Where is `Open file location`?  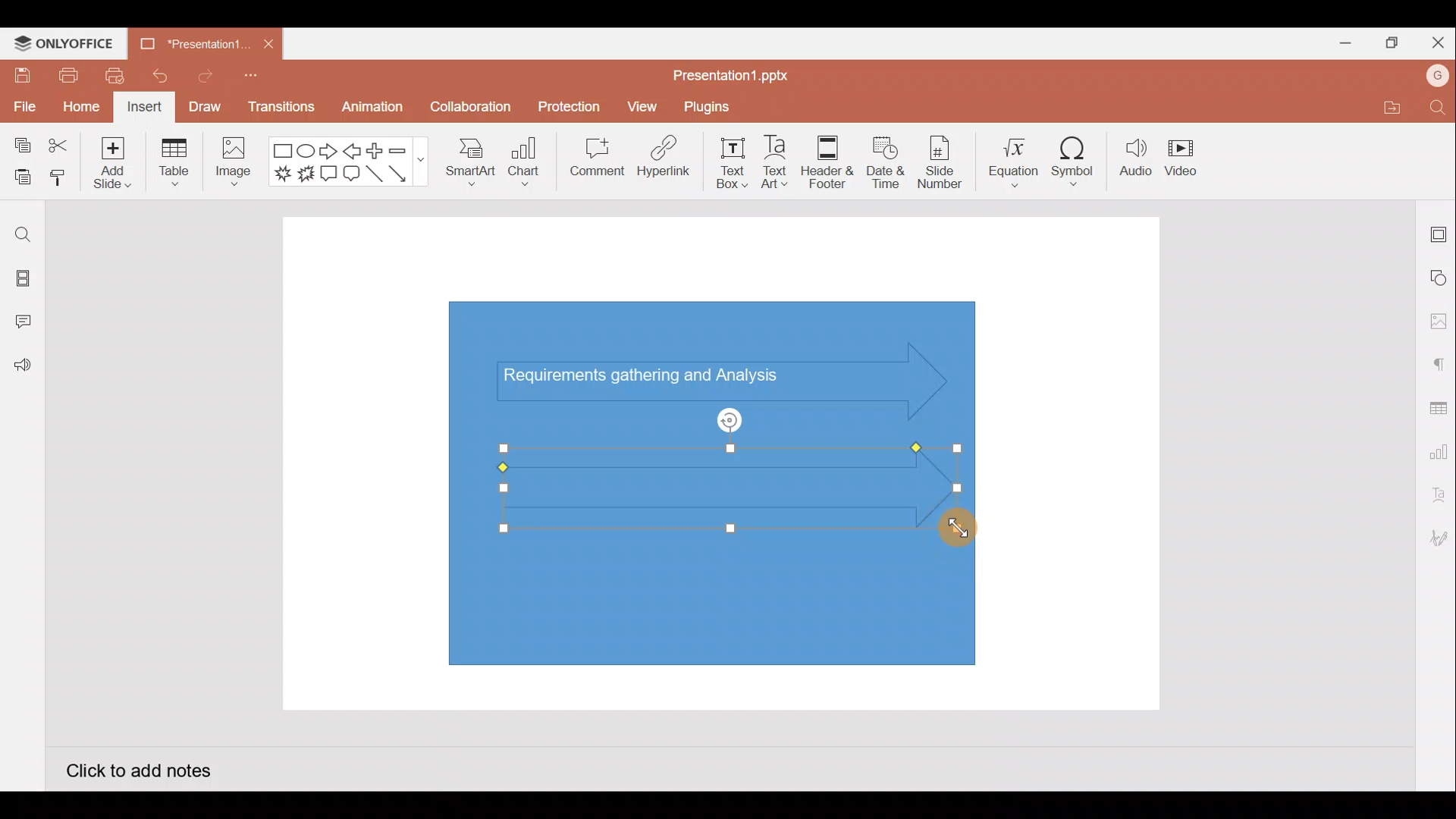 Open file location is located at coordinates (1389, 107).